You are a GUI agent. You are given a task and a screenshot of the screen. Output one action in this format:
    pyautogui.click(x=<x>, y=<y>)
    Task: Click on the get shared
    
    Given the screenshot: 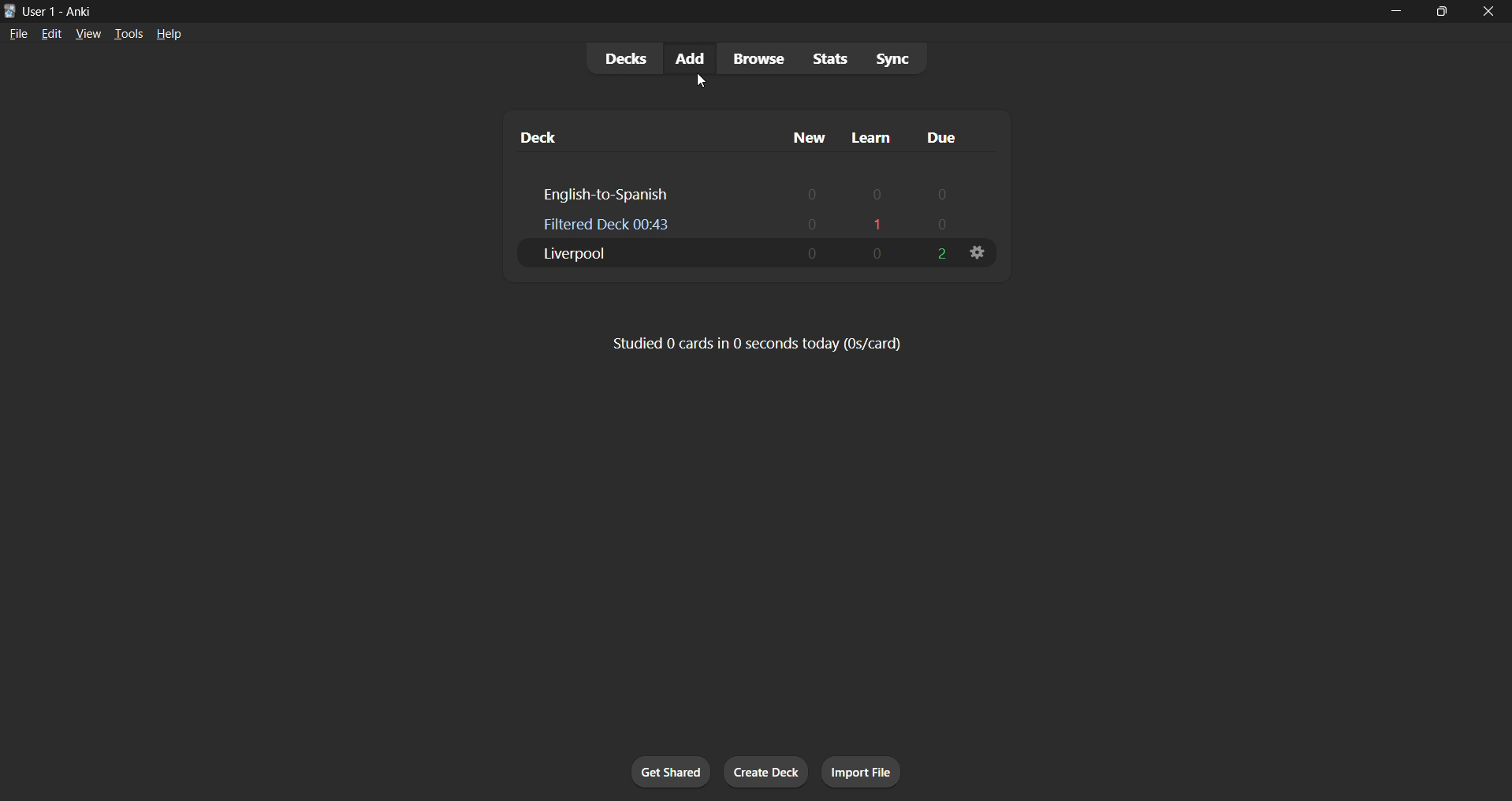 What is the action you would take?
    pyautogui.click(x=665, y=773)
    